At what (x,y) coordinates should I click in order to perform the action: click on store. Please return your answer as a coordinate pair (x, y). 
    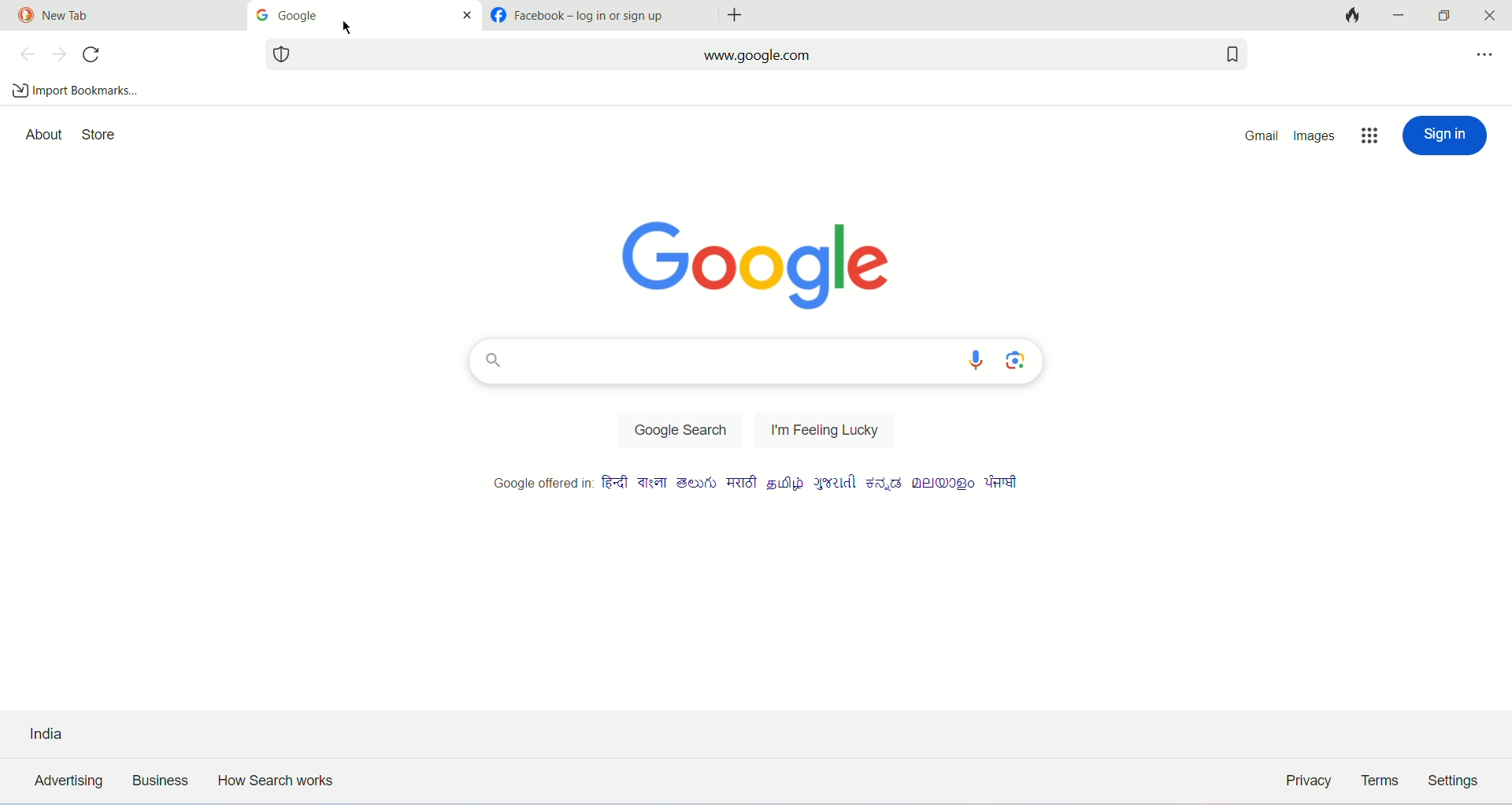
    Looking at the image, I should click on (98, 134).